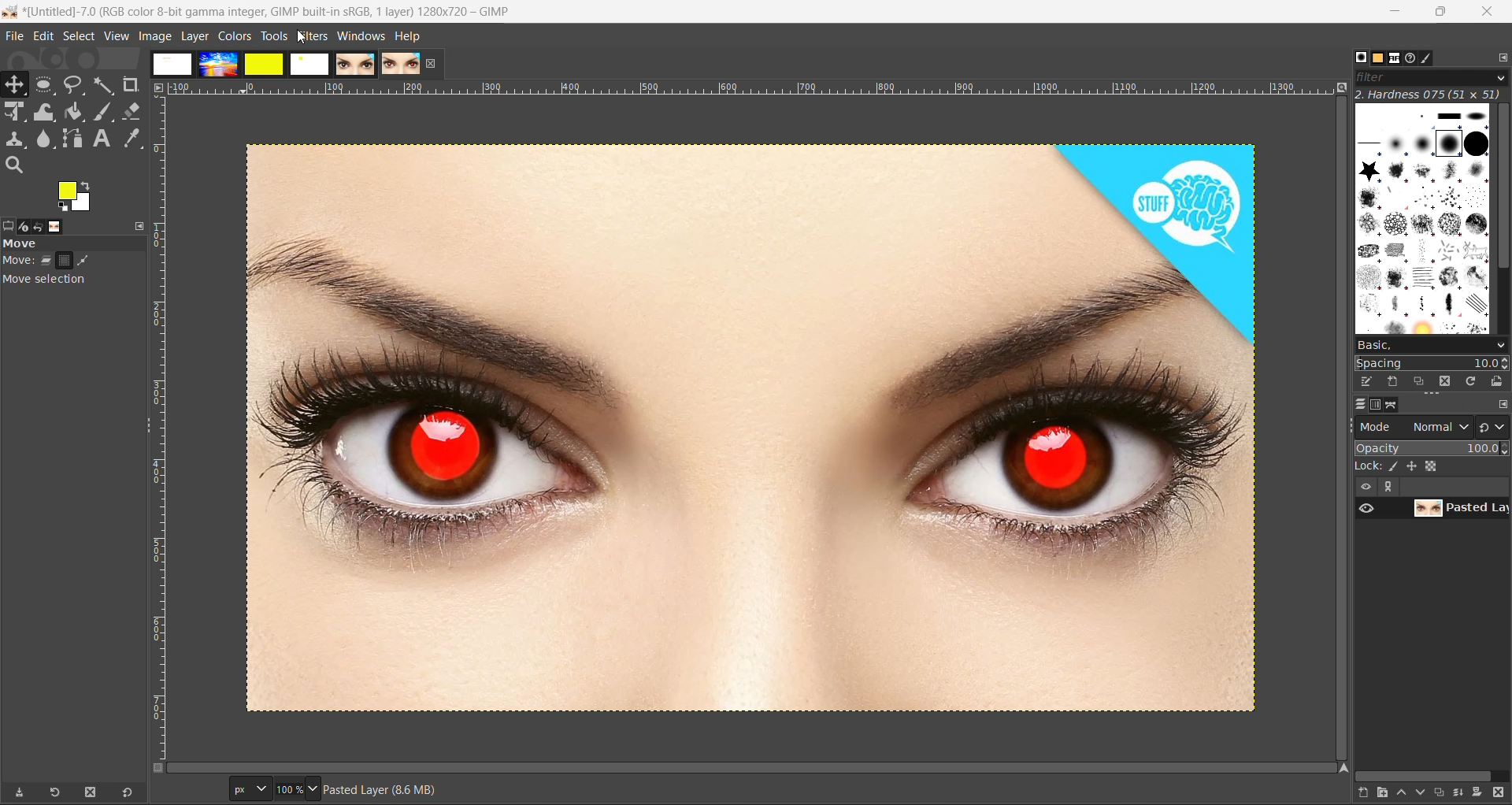  I want to click on close, so click(434, 64).